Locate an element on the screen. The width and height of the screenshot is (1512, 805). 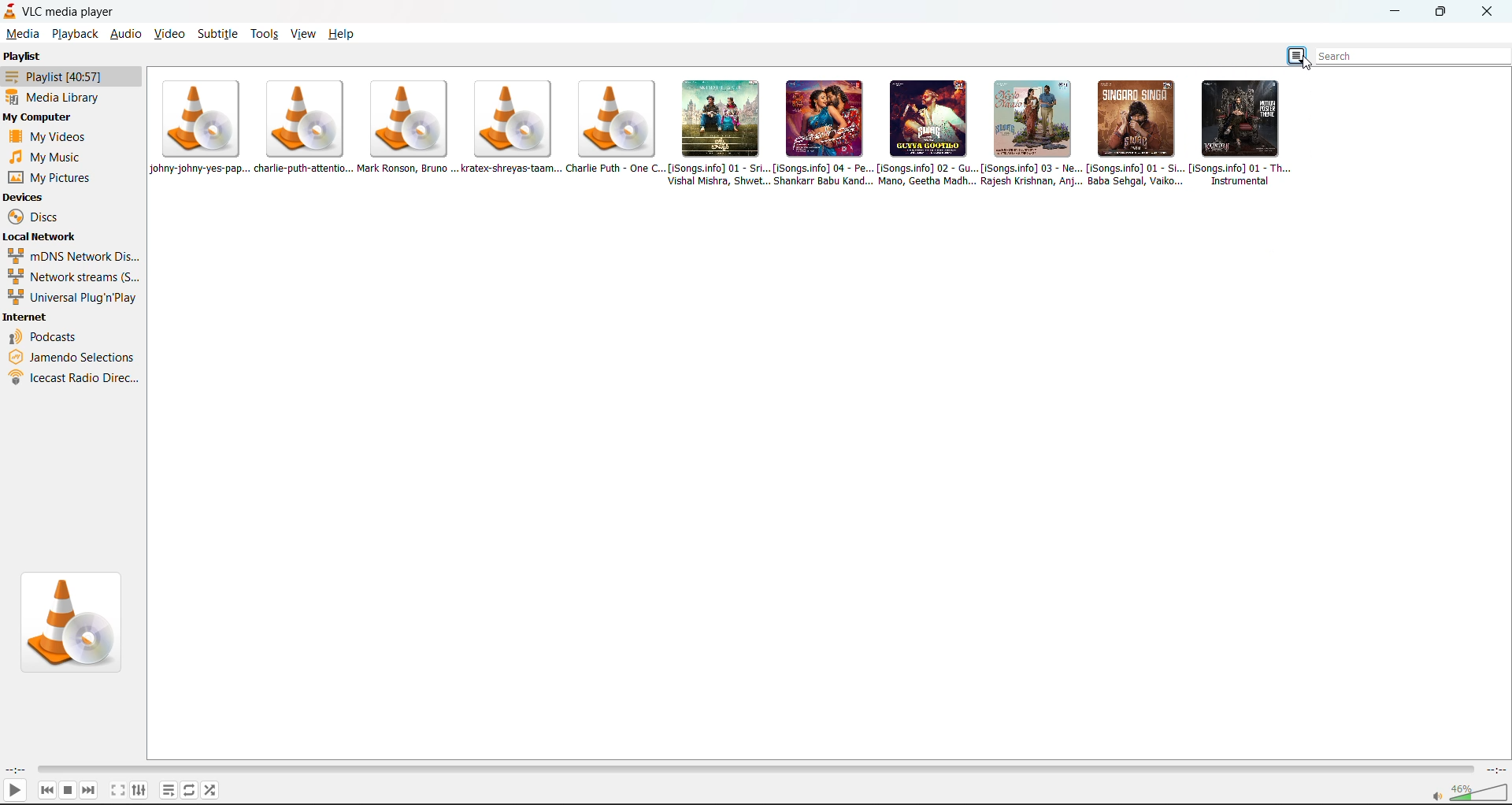
loop is located at coordinates (187, 791).